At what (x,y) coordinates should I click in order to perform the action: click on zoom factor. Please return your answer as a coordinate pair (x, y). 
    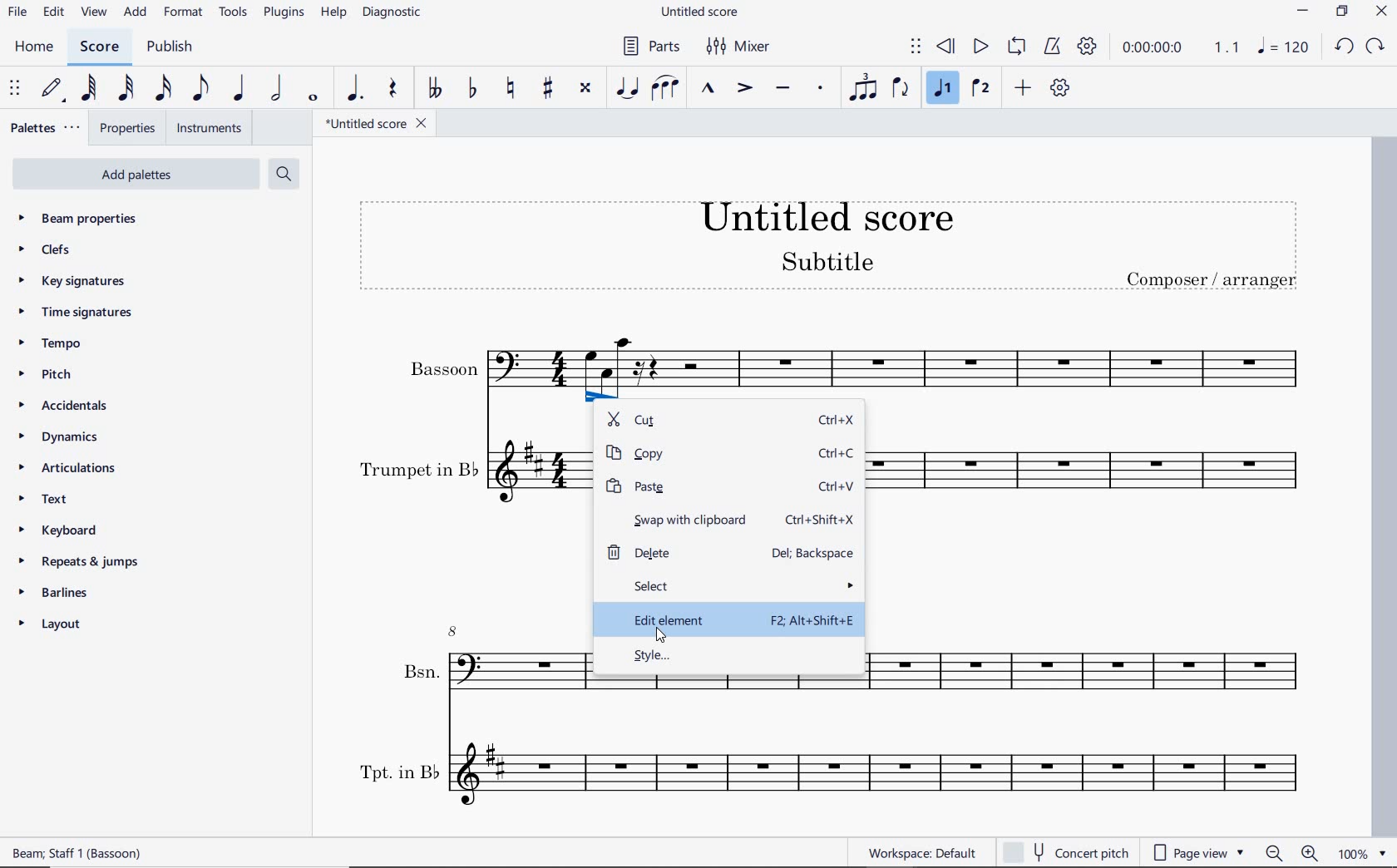
    Looking at the image, I should click on (1364, 852).